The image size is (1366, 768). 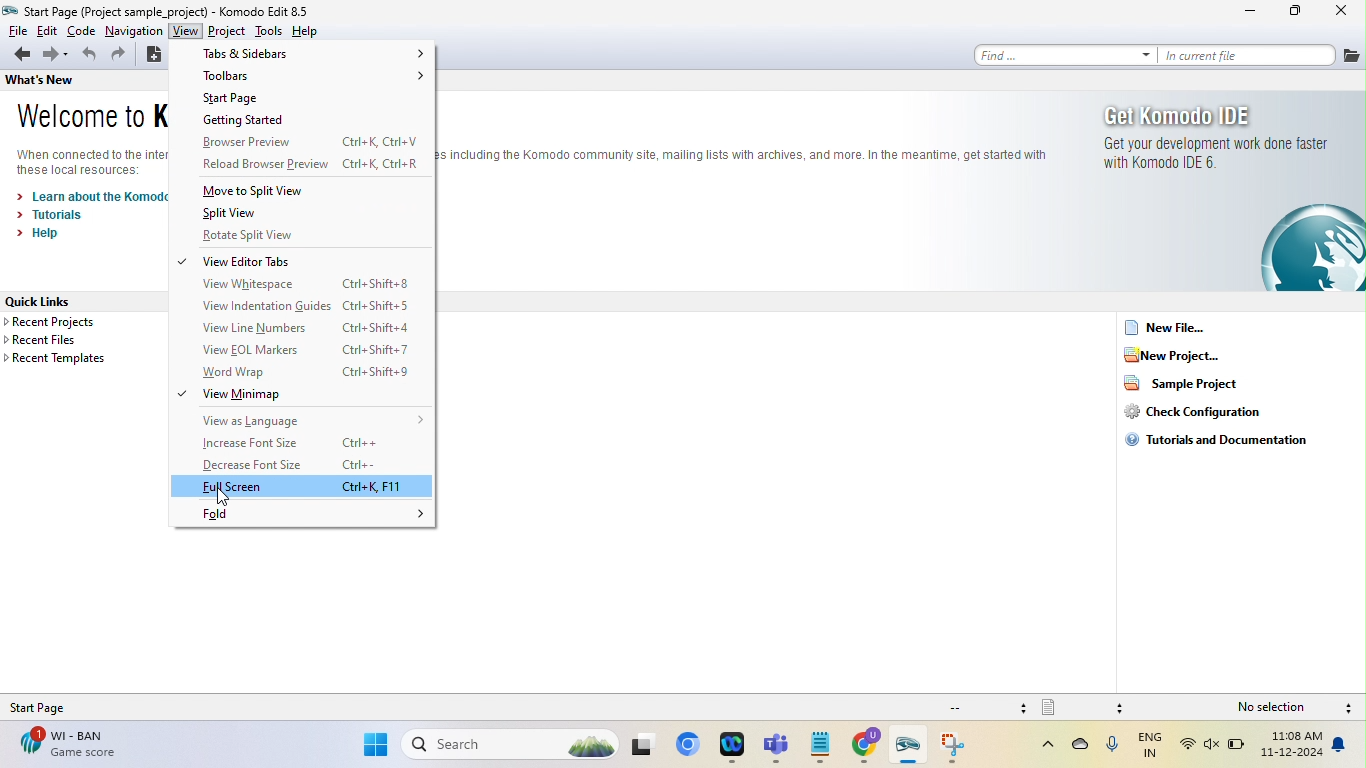 I want to click on redo, so click(x=120, y=58).